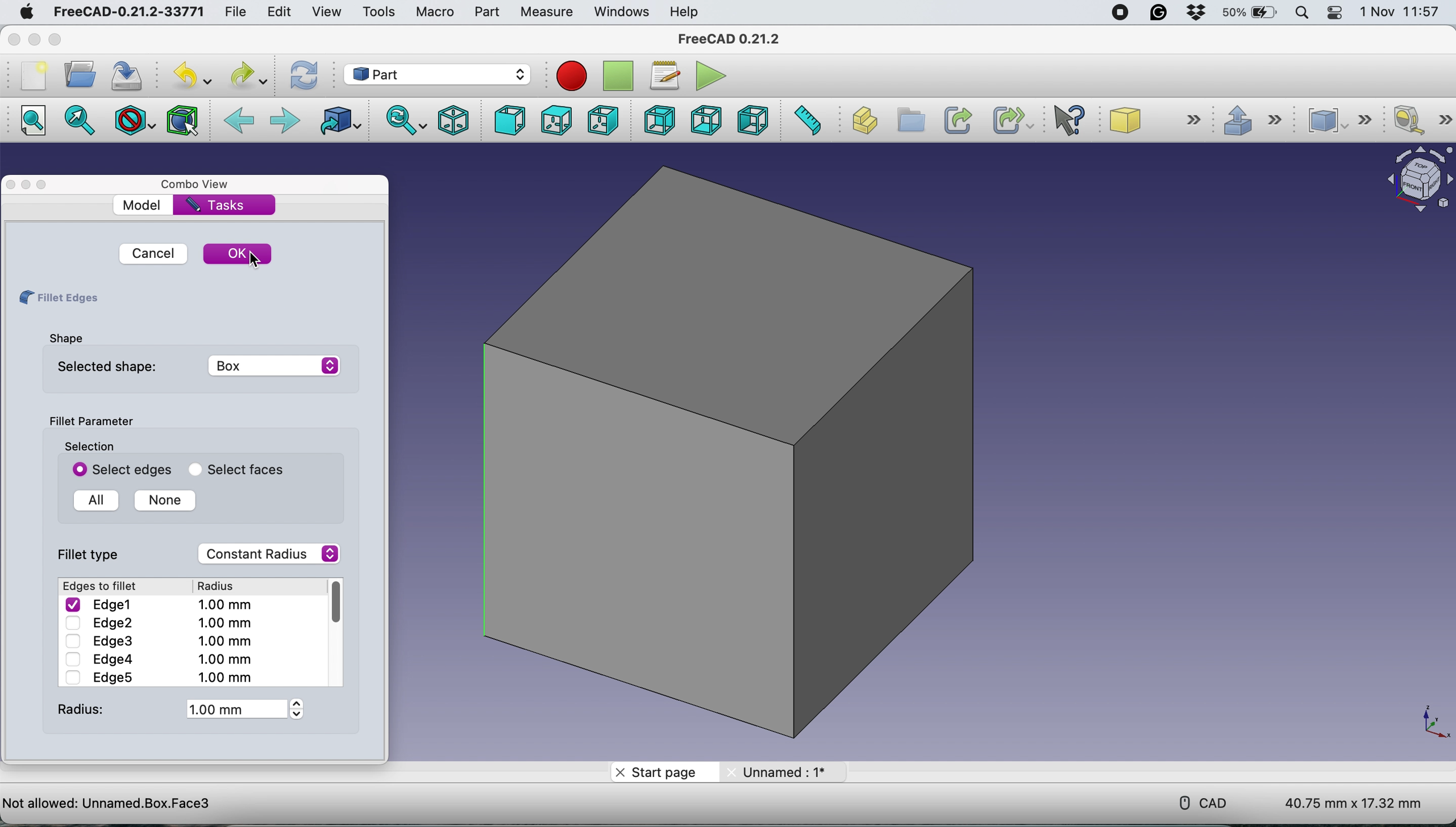 The image size is (1456, 827). I want to click on measure distance, so click(806, 120).